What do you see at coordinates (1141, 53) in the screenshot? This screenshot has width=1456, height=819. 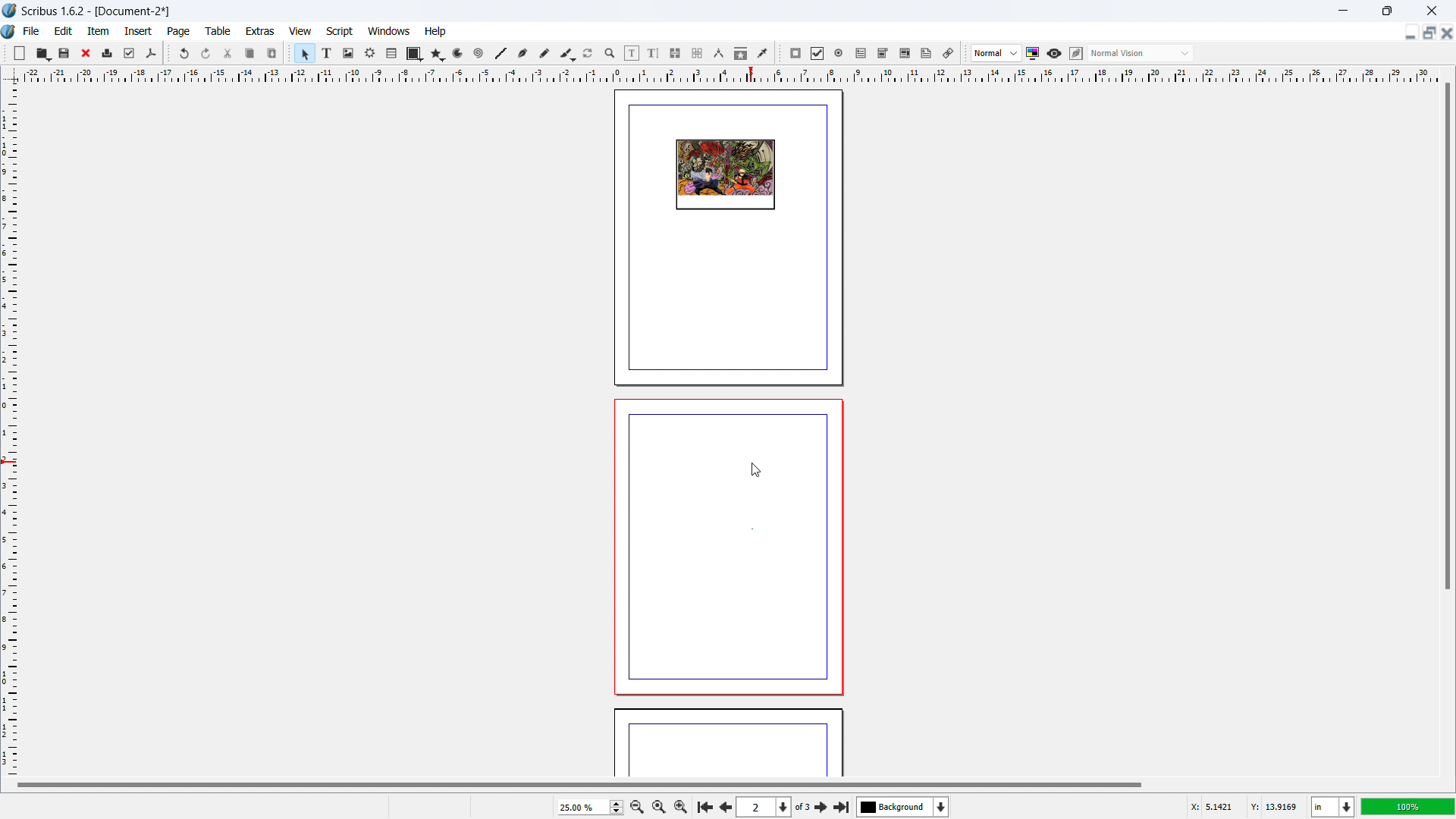 I see `select visual appearance of the display` at bounding box center [1141, 53].